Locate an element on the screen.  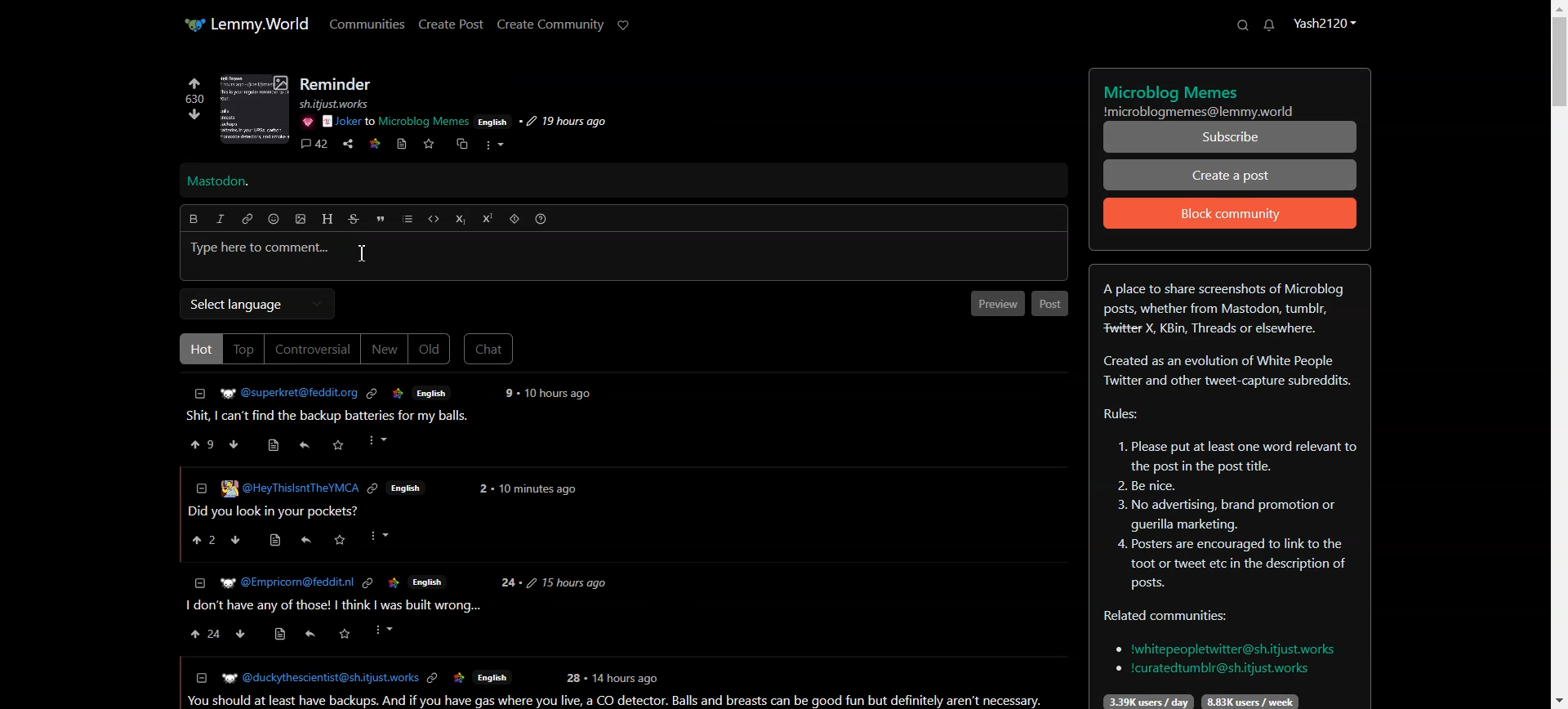
Text Cursor is located at coordinates (362, 252).